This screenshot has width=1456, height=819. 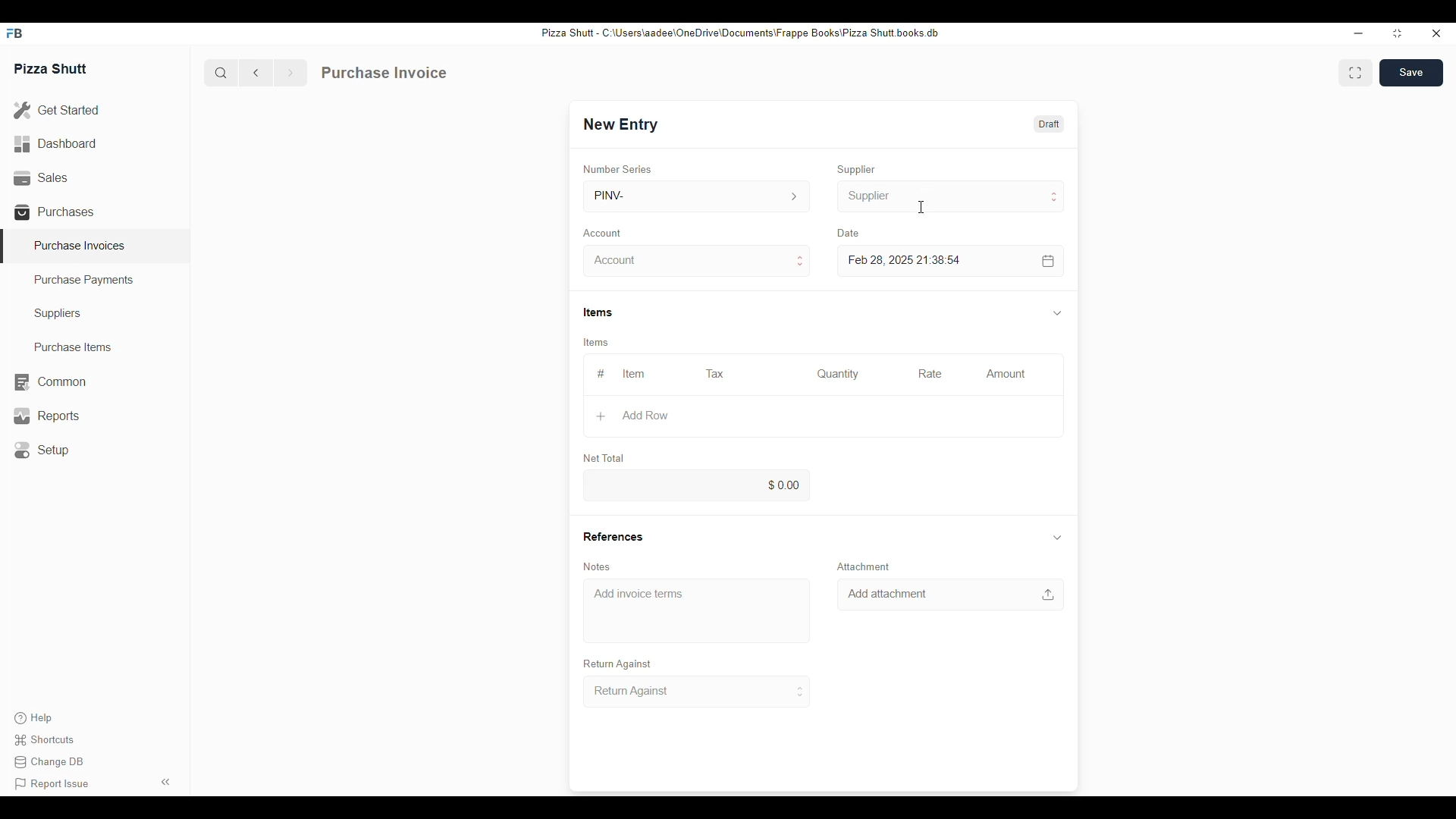 I want to click on Item, so click(x=635, y=375).